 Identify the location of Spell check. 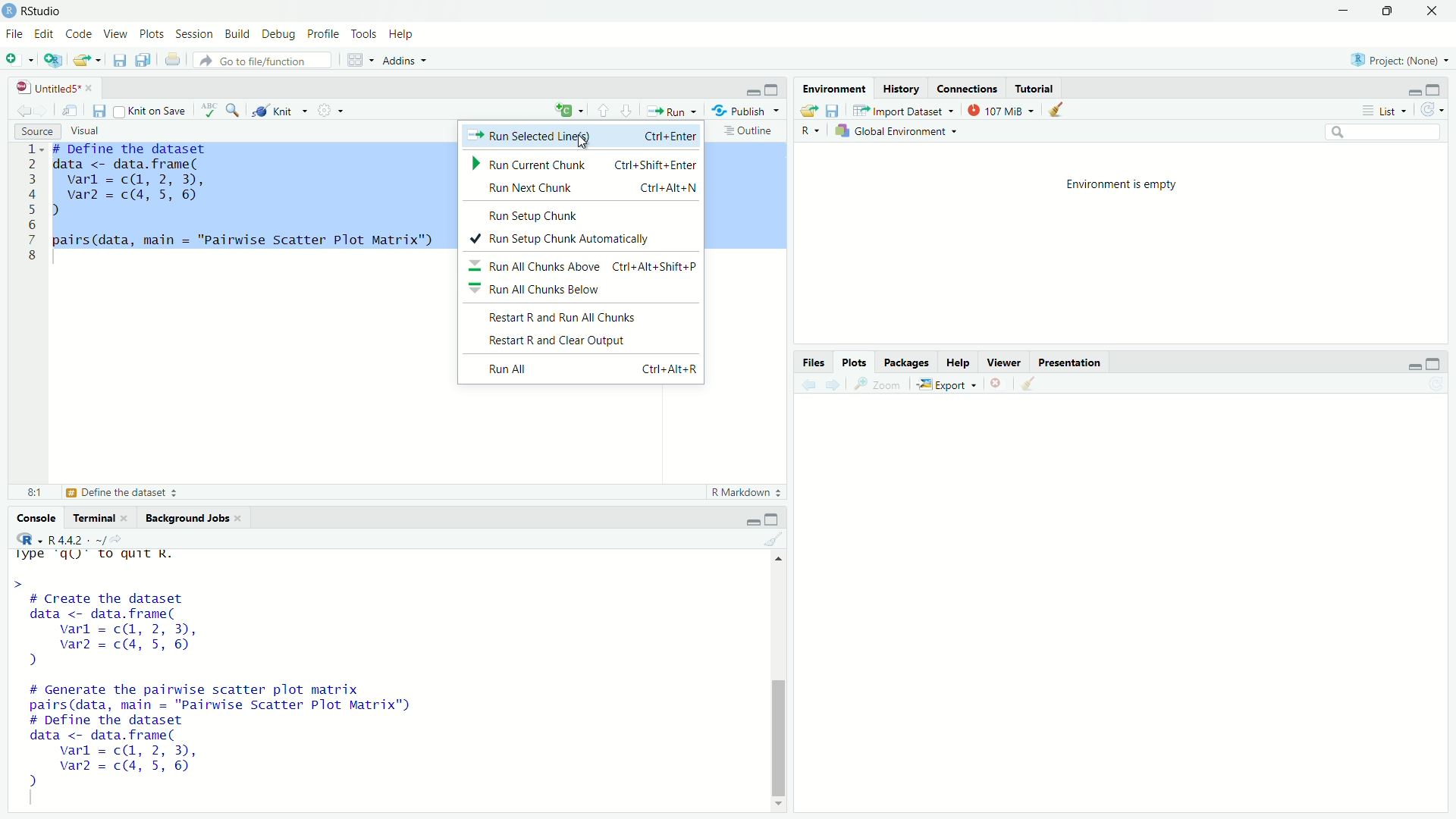
(209, 111).